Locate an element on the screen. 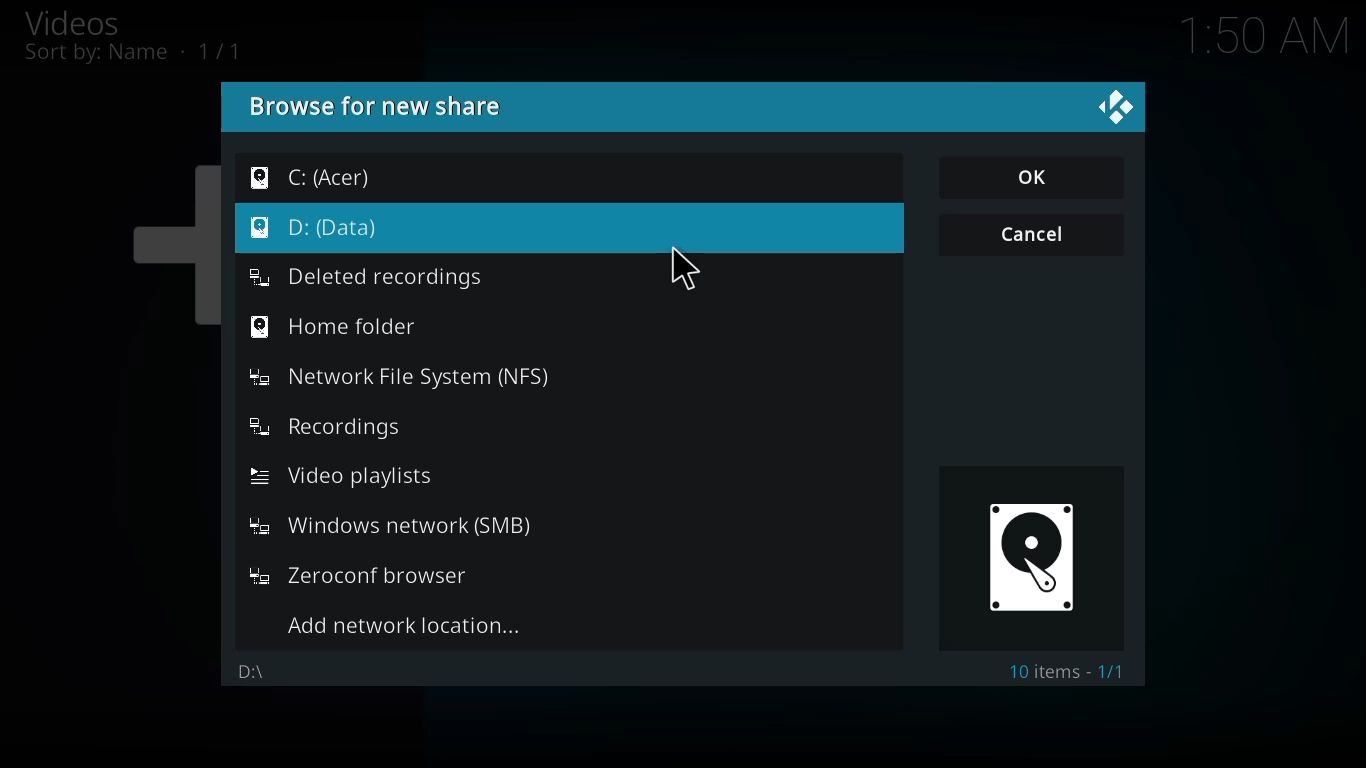 This screenshot has width=1366, height=768. d is located at coordinates (253, 670).